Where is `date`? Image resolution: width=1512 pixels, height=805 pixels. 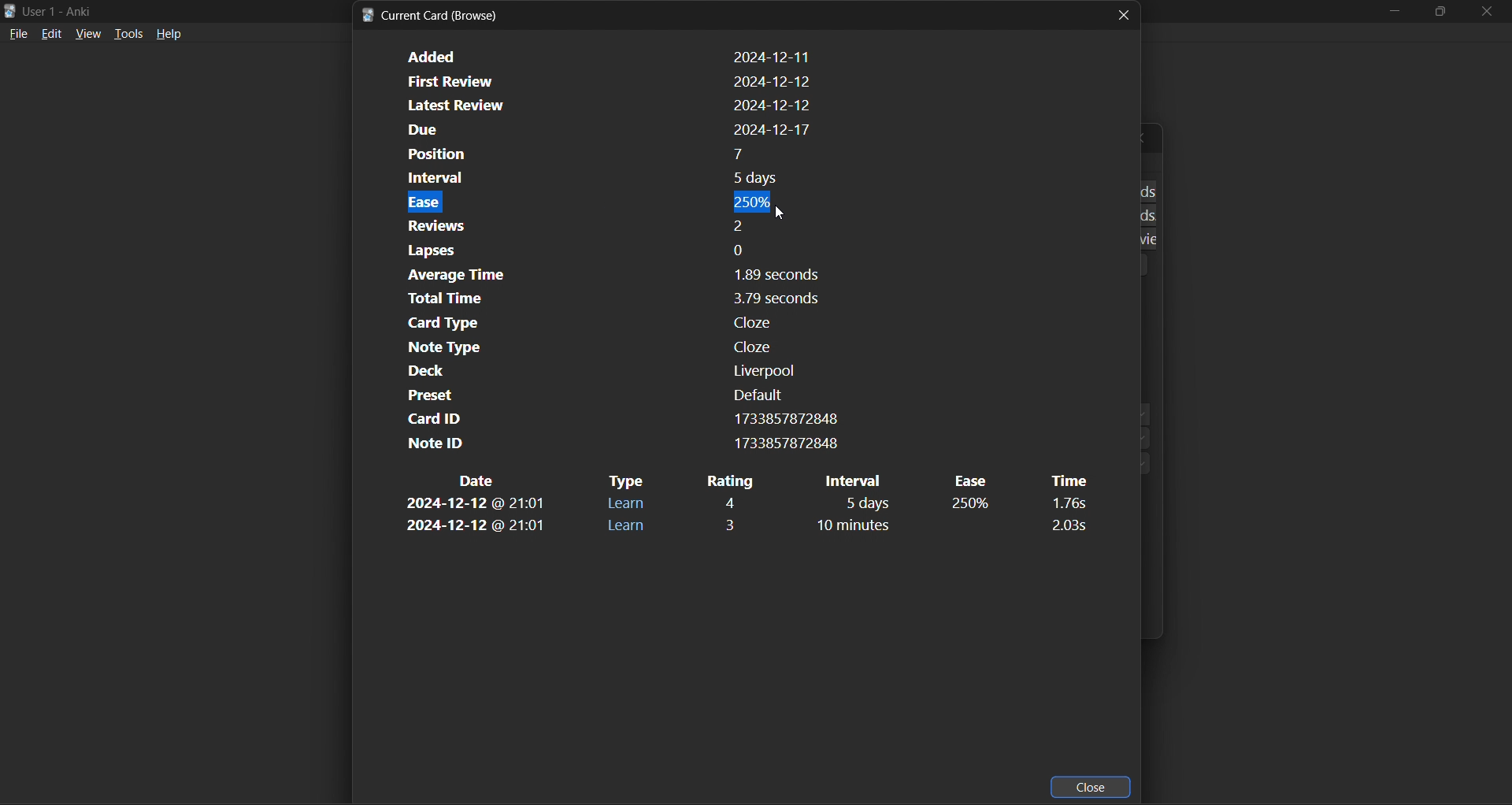 date is located at coordinates (476, 505).